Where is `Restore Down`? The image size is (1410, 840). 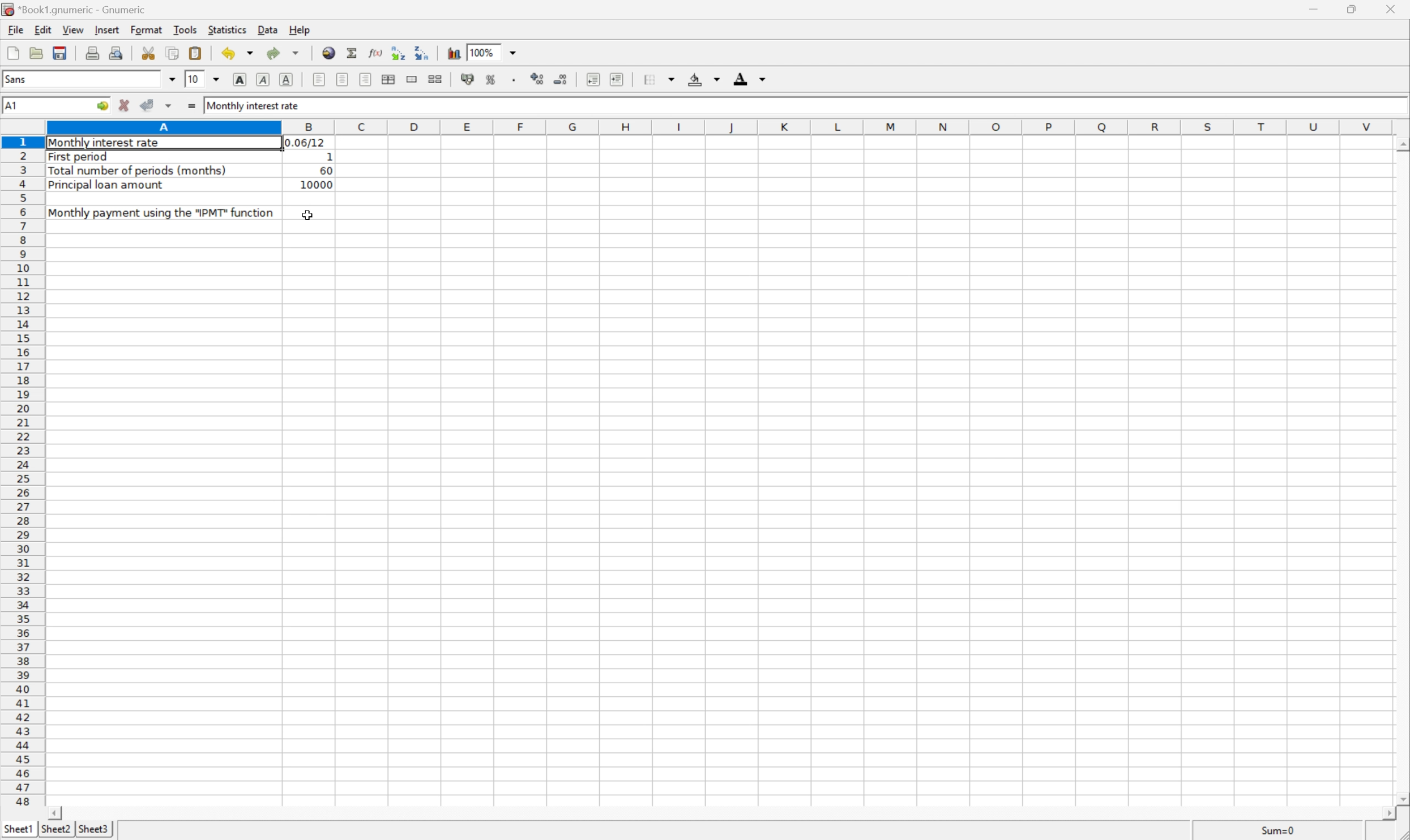
Restore Down is located at coordinates (1352, 8).